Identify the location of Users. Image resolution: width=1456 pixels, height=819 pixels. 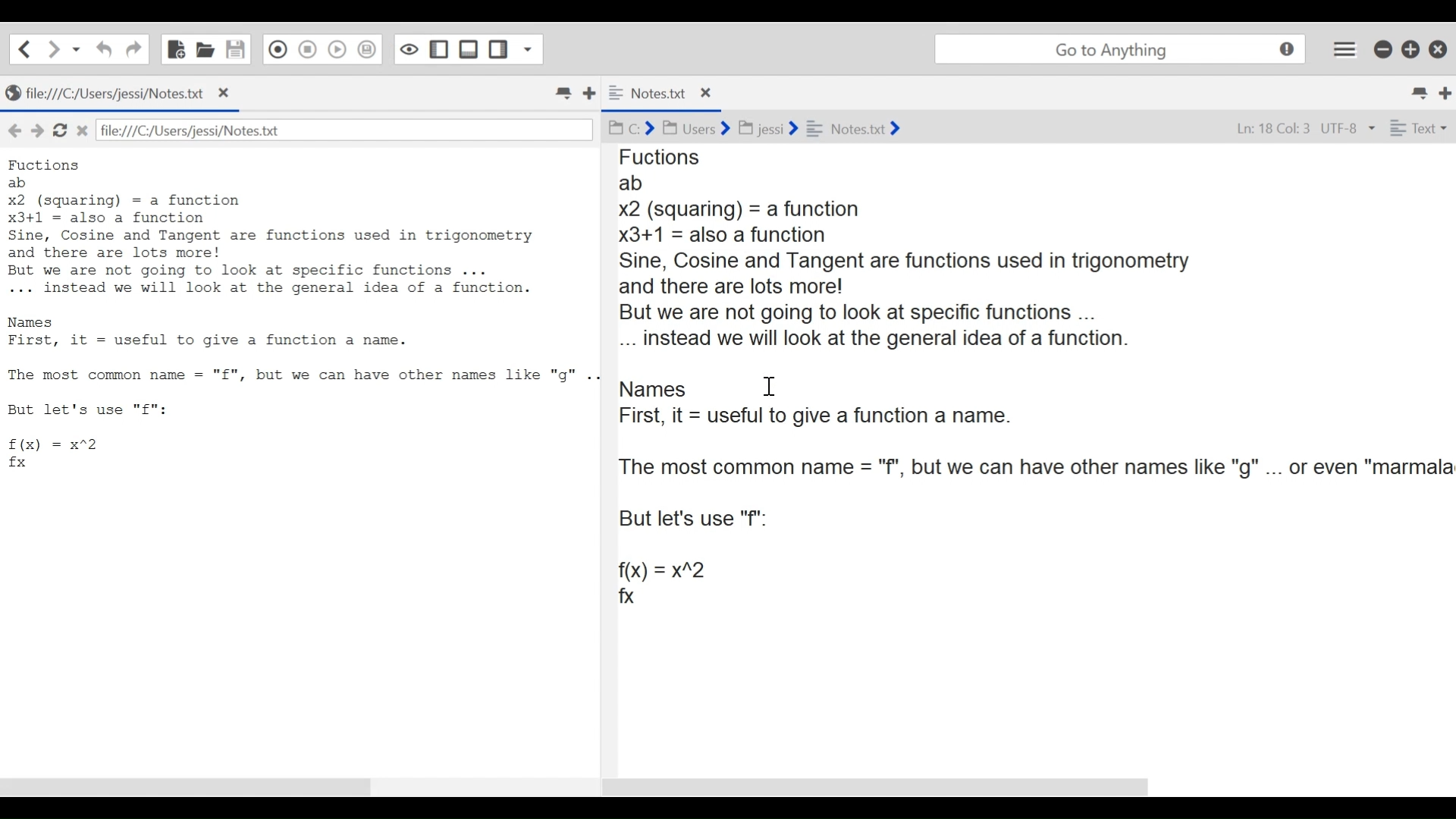
(689, 127).